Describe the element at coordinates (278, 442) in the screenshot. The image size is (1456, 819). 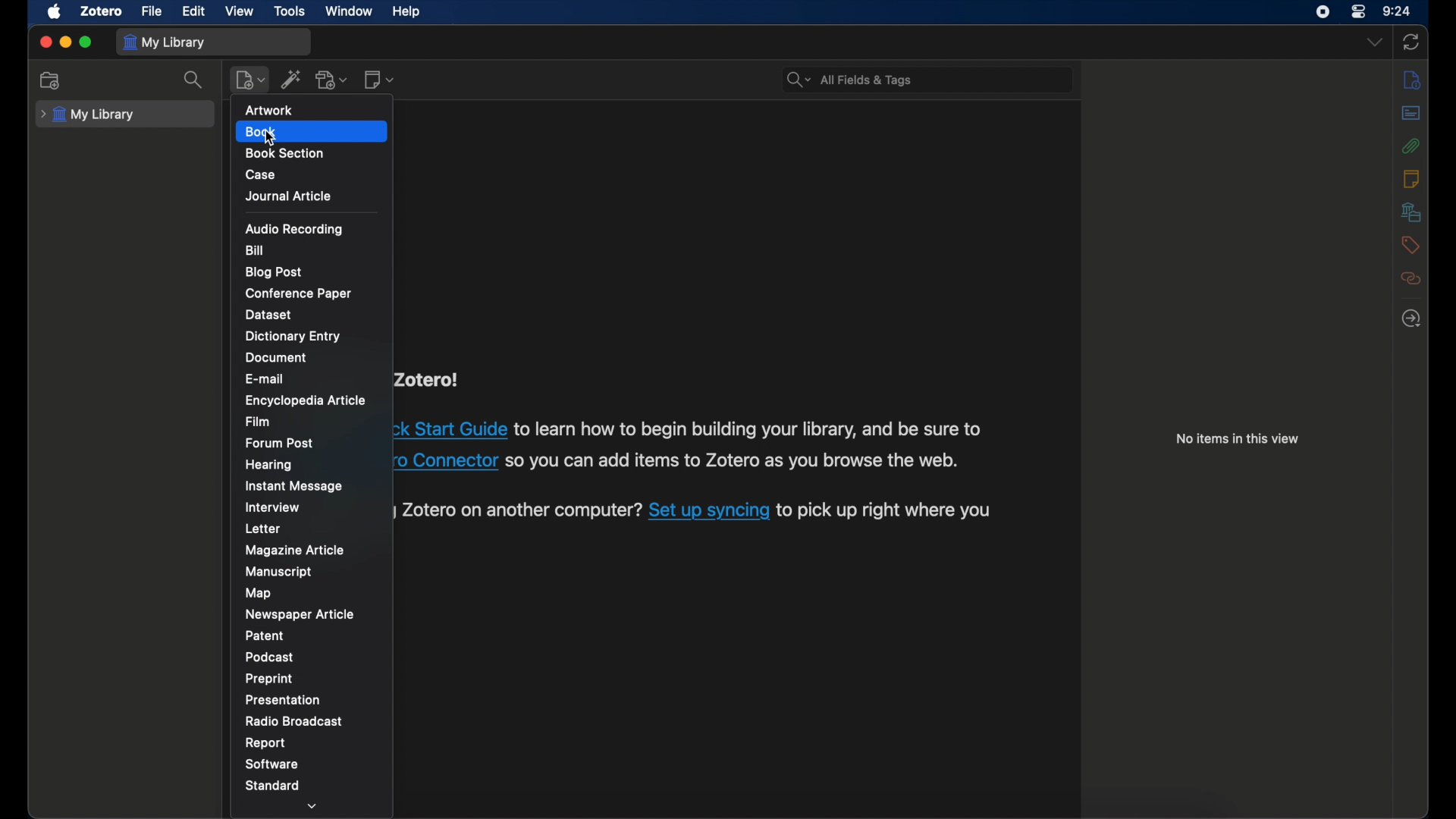
I see `forum post` at that location.